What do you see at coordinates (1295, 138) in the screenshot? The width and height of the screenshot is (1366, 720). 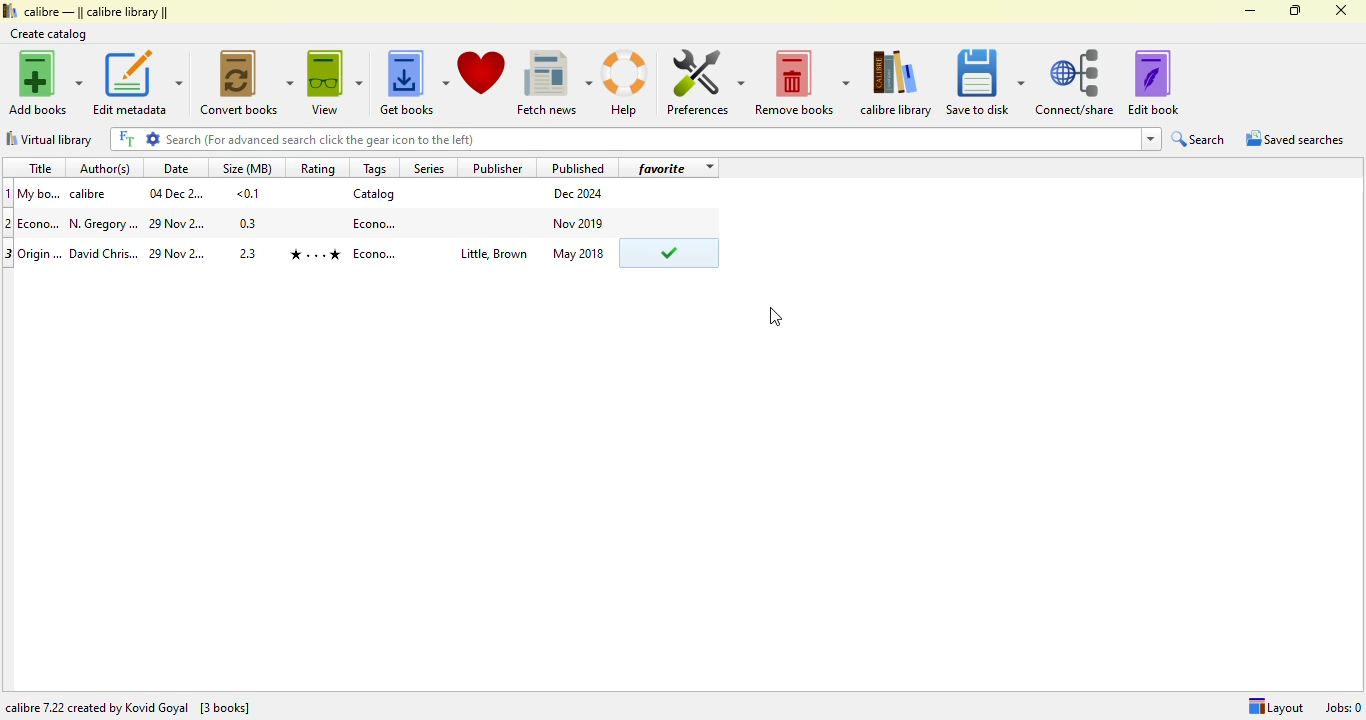 I see `saved searches` at bounding box center [1295, 138].